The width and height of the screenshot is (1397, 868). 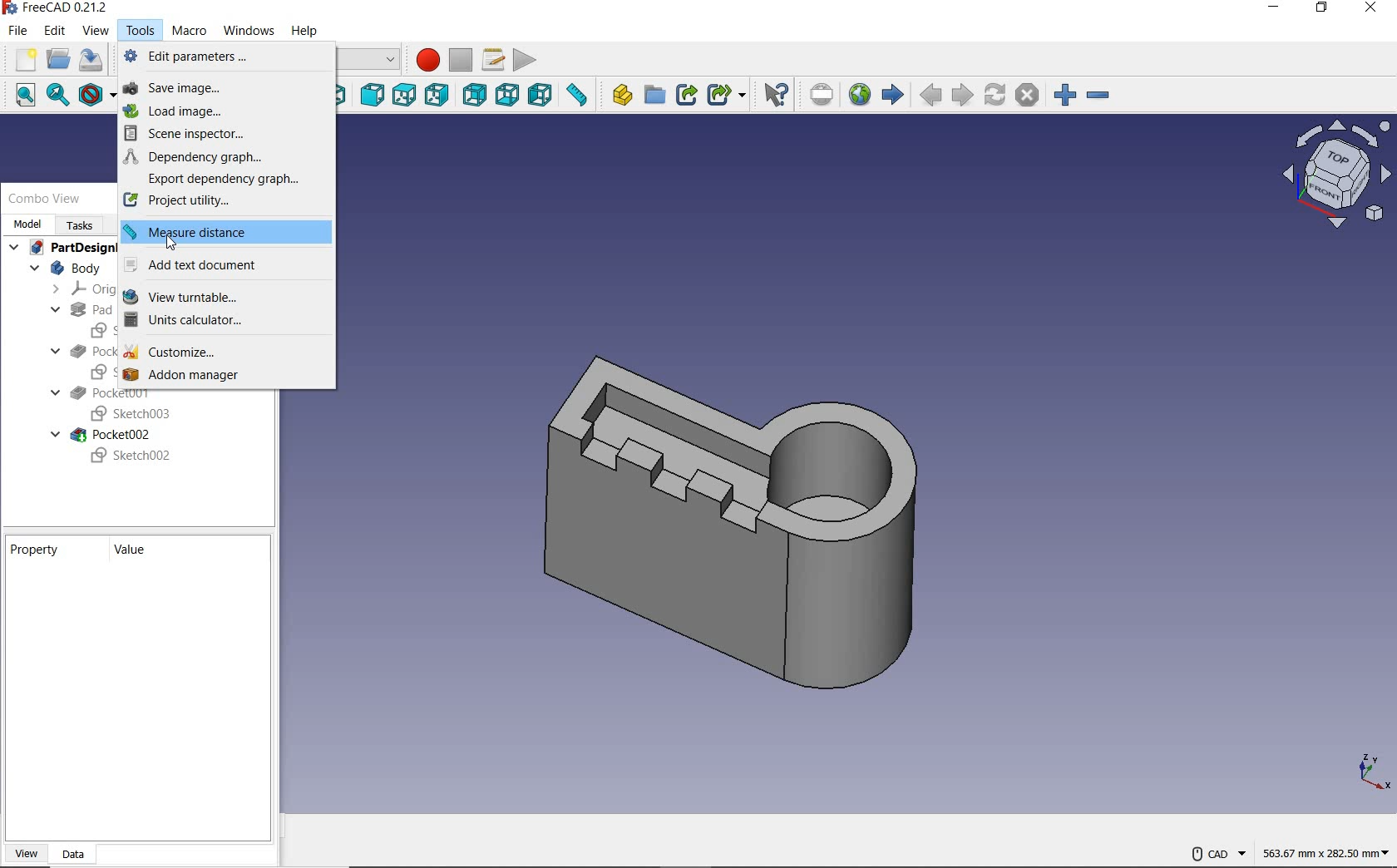 What do you see at coordinates (220, 133) in the screenshot?
I see `SCENE INSPECTOR` at bounding box center [220, 133].